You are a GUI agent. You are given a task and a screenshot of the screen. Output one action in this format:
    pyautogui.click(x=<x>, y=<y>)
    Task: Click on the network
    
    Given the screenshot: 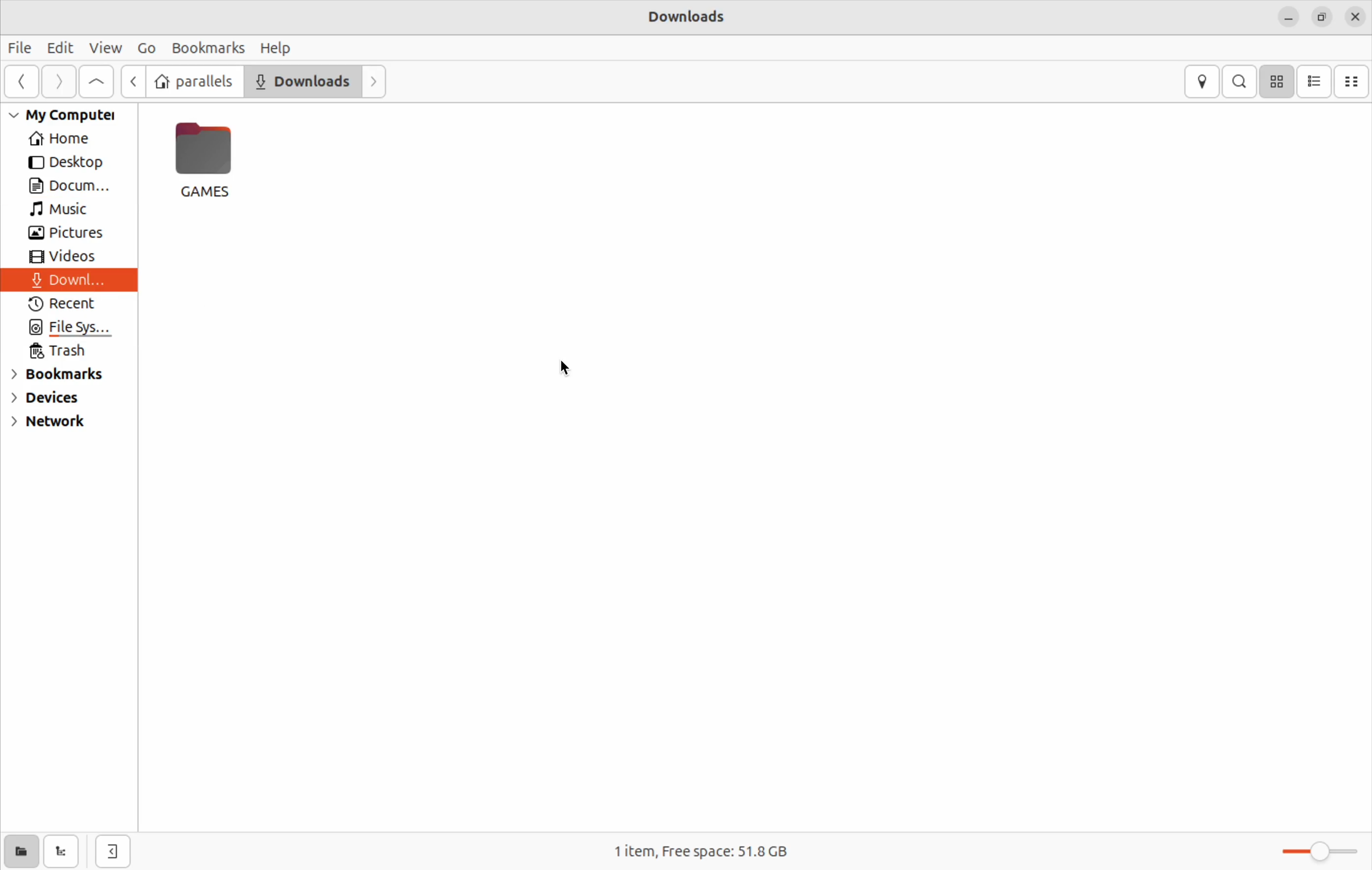 What is the action you would take?
    pyautogui.click(x=67, y=424)
    